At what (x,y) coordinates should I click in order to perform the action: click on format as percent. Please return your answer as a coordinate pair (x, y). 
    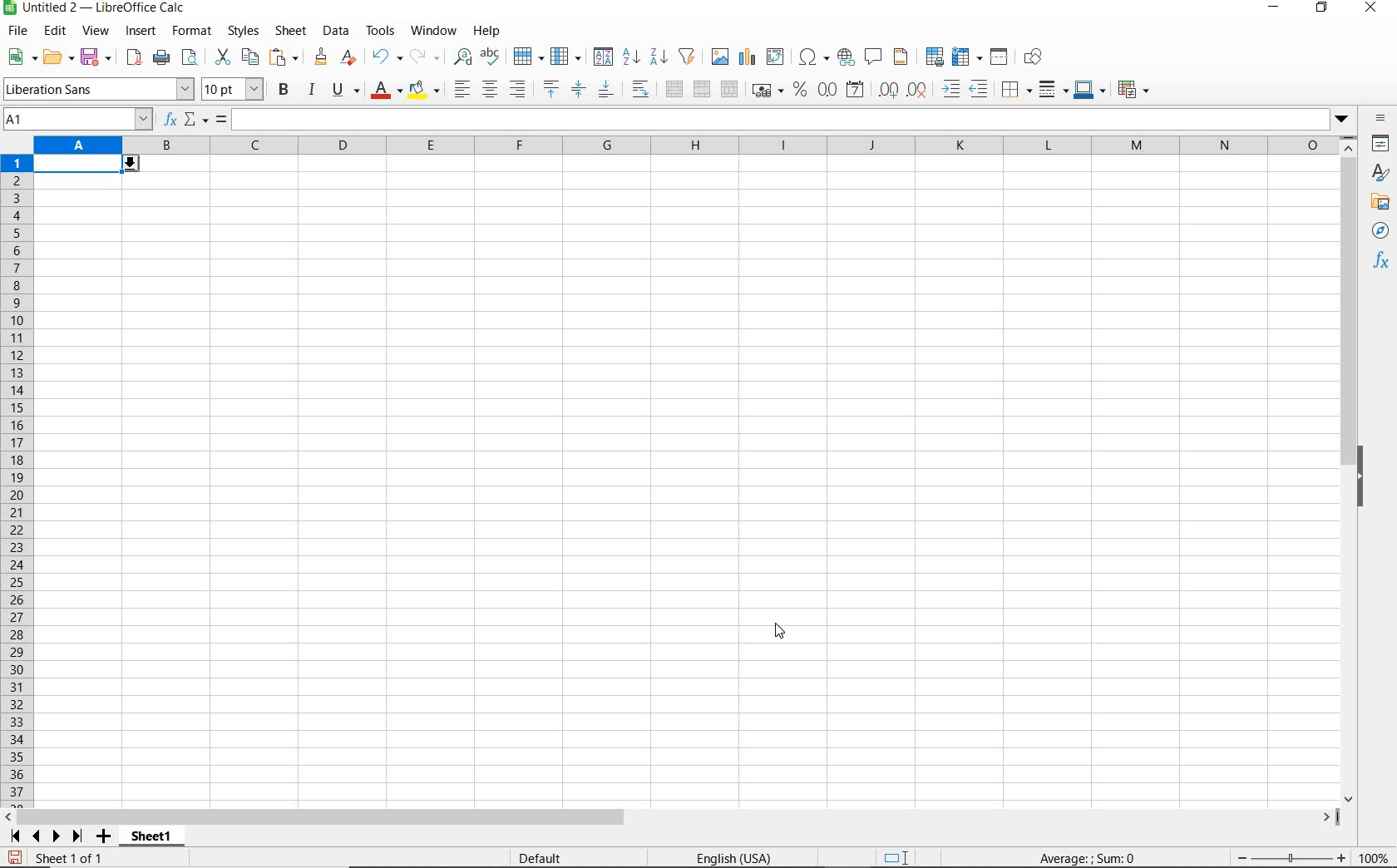
    Looking at the image, I should click on (800, 90).